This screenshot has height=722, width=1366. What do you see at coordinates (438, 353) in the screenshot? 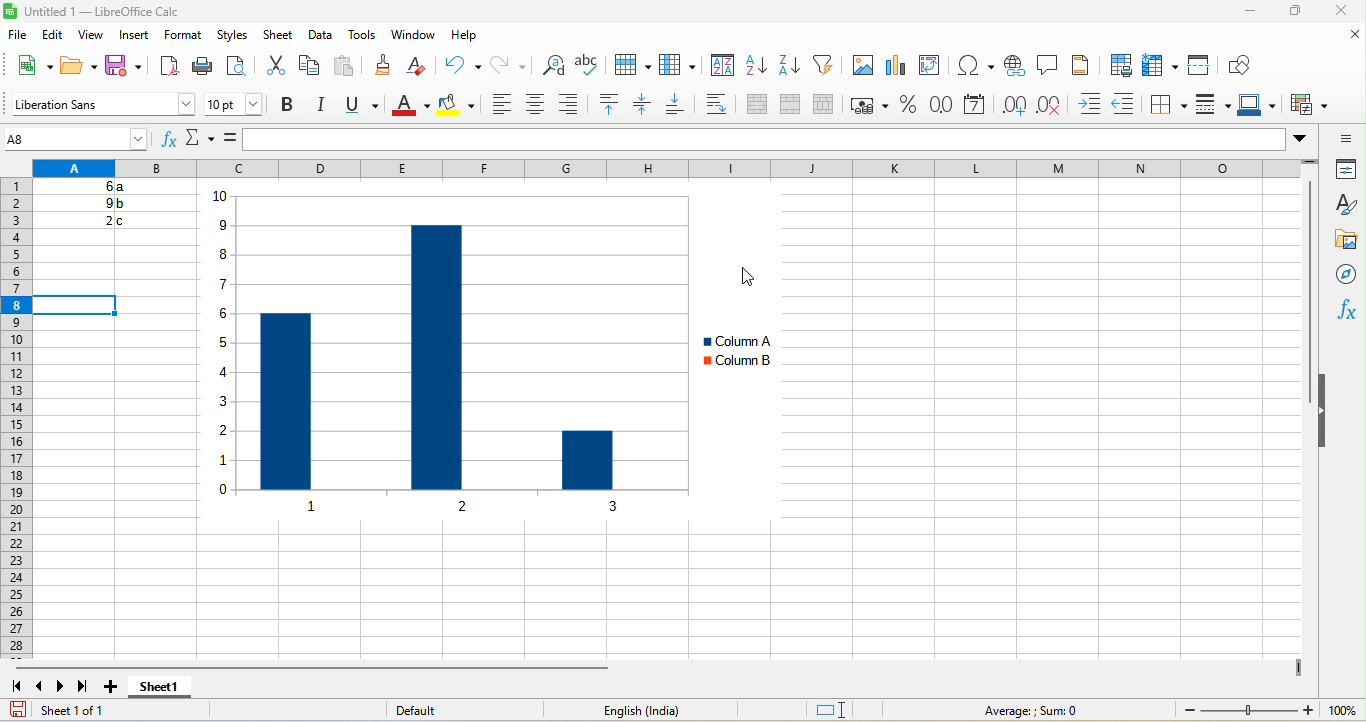
I see `chart` at bounding box center [438, 353].